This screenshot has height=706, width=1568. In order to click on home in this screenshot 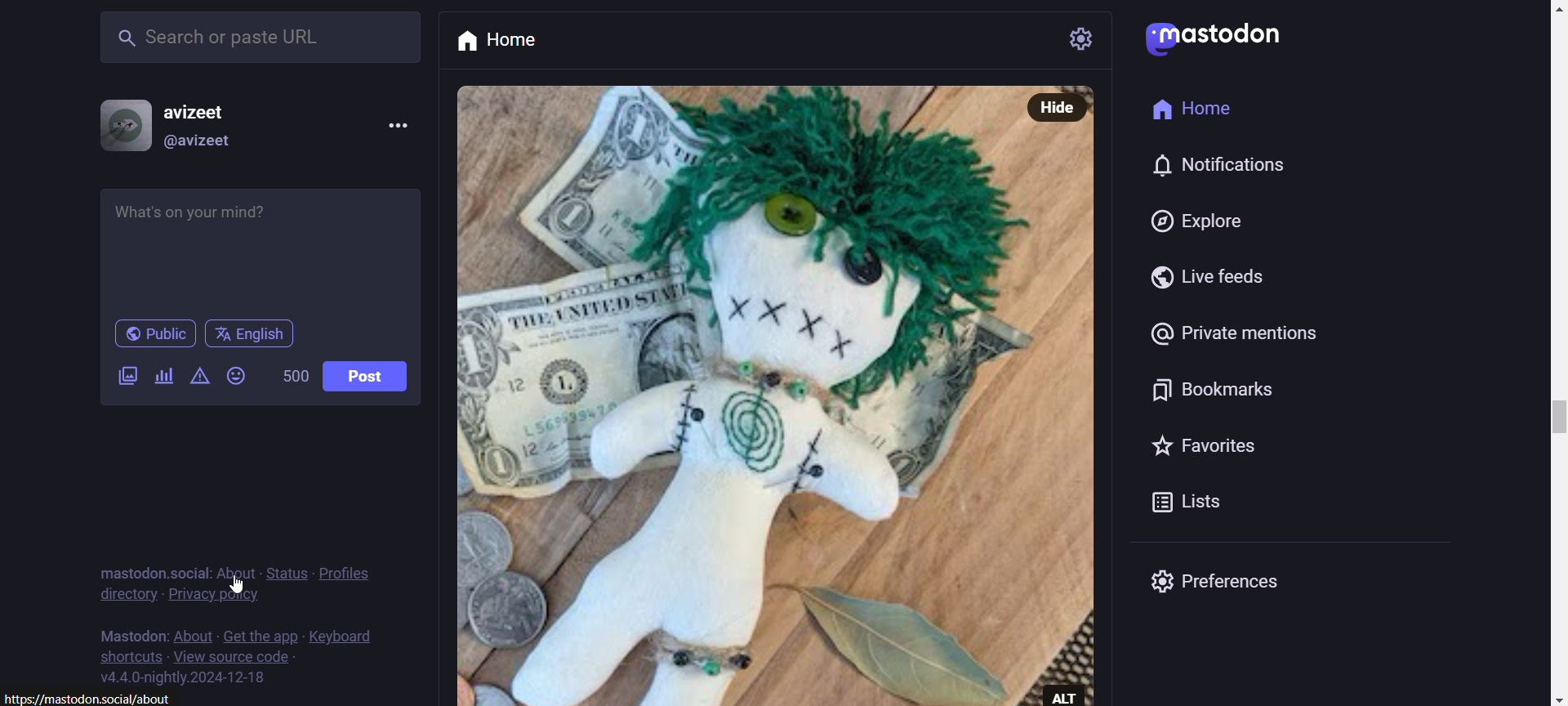, I will do `click(517, 40)`.